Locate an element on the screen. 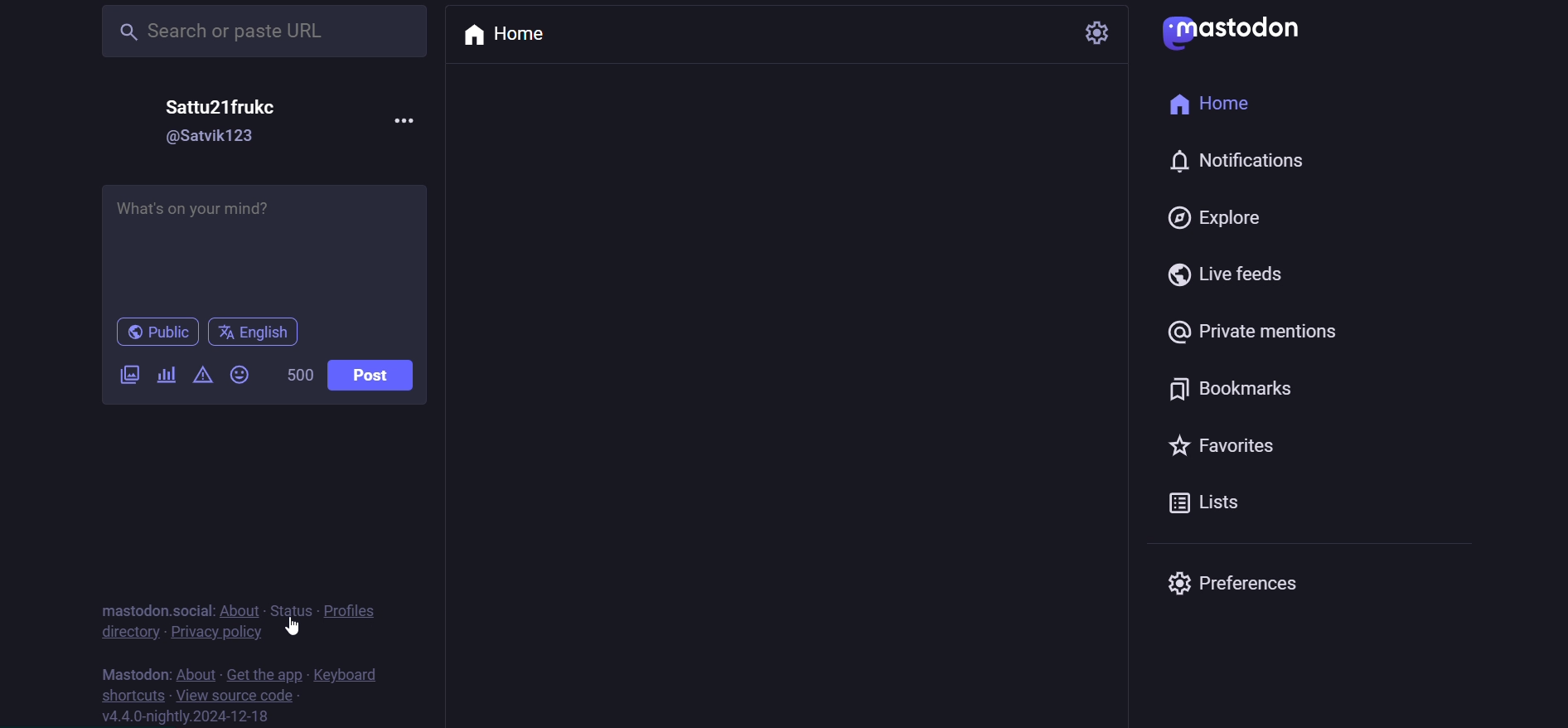  live feed is located at coordinates (1225, 276).